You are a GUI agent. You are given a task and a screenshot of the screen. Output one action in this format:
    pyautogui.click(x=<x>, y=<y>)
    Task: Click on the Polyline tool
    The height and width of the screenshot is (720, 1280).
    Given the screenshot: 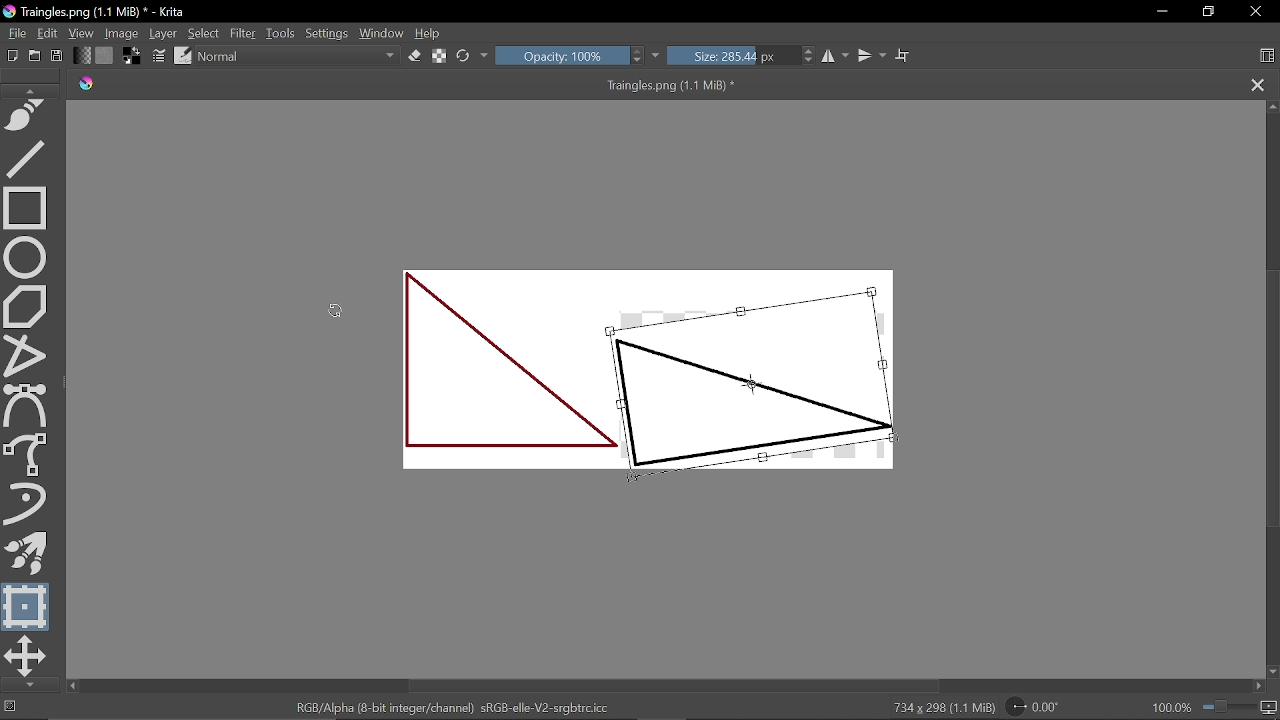 What is the action you would take?
    pyautogui.click(x=29, y=353)
    